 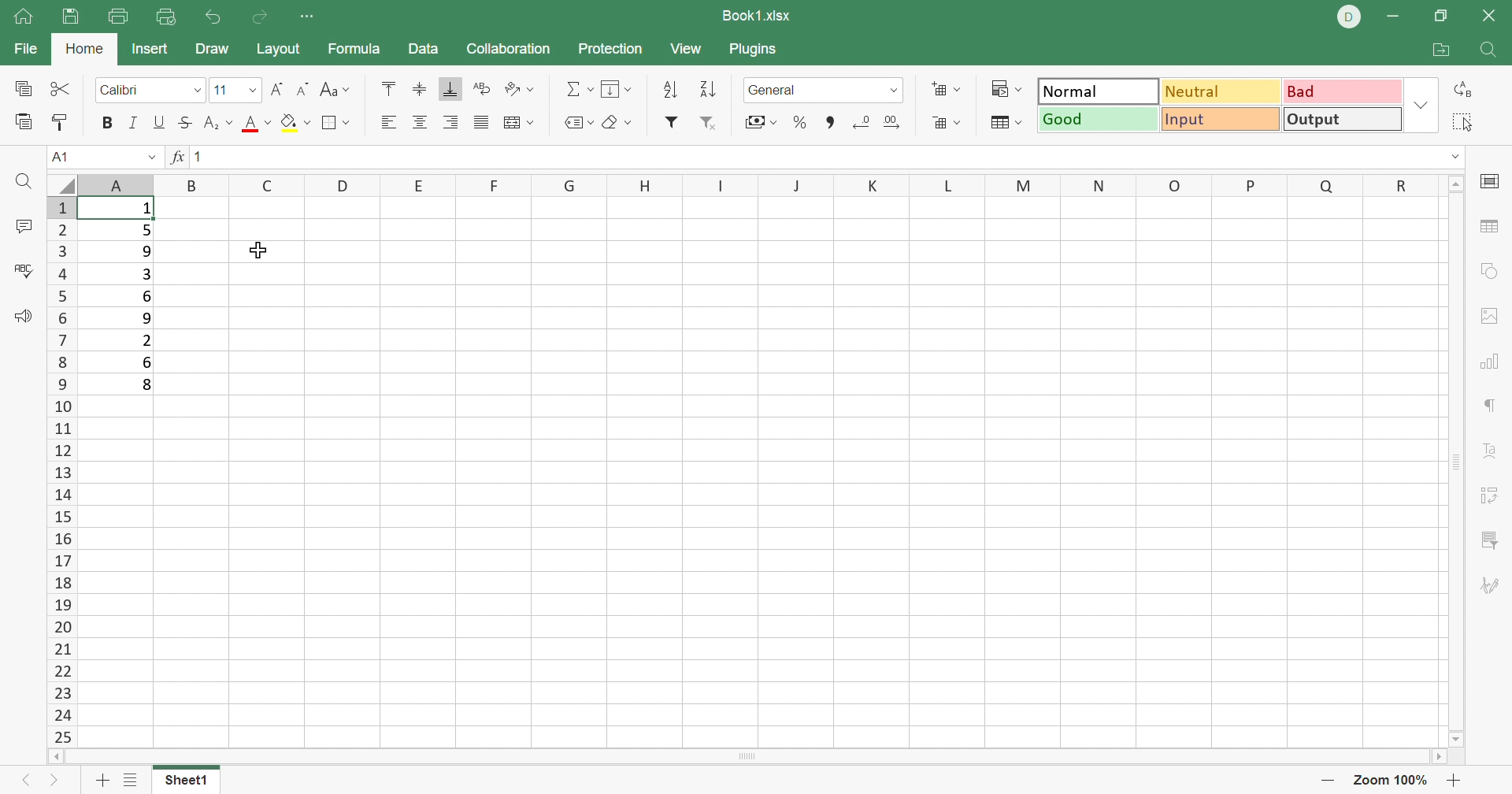 I want to click on Select all, so click(x=1462, y=121).